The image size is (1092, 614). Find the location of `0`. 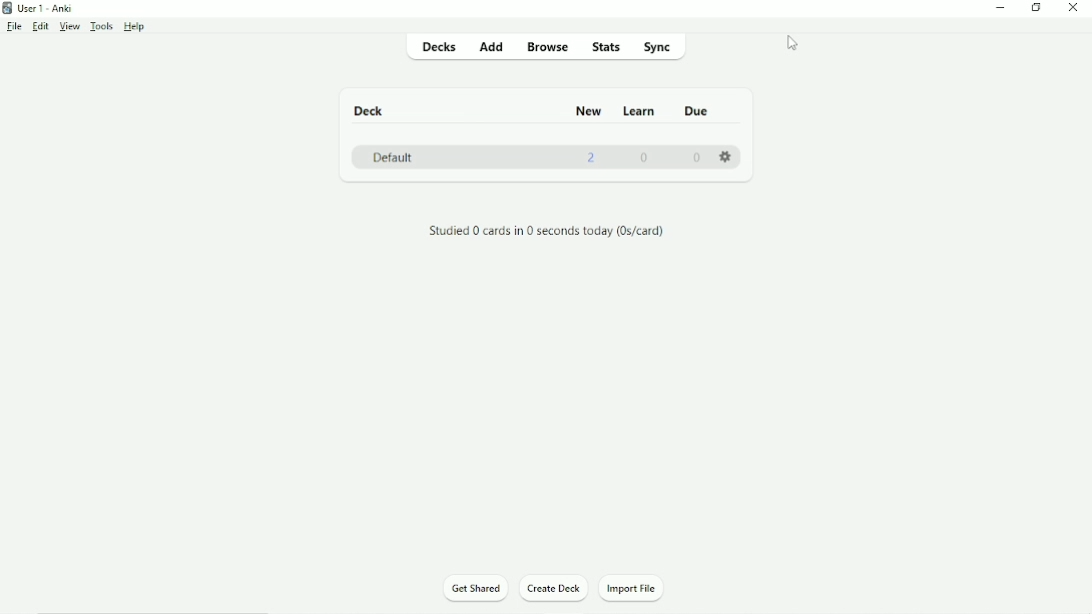

0 is located at coordinates (646, 157).